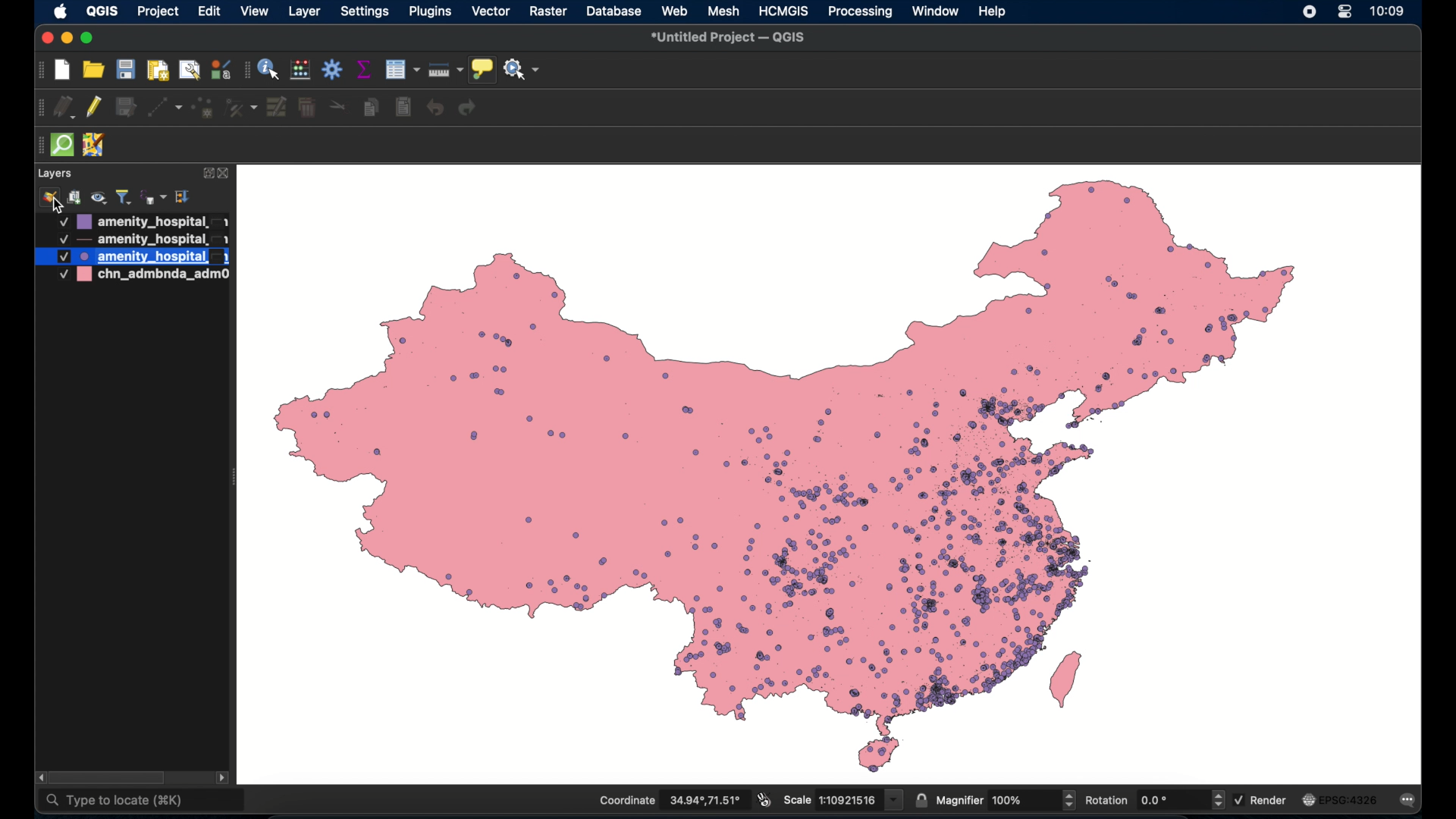  Describe the element at coordinates (1153, 799) in the screenshot. I see `rotation` at that location.